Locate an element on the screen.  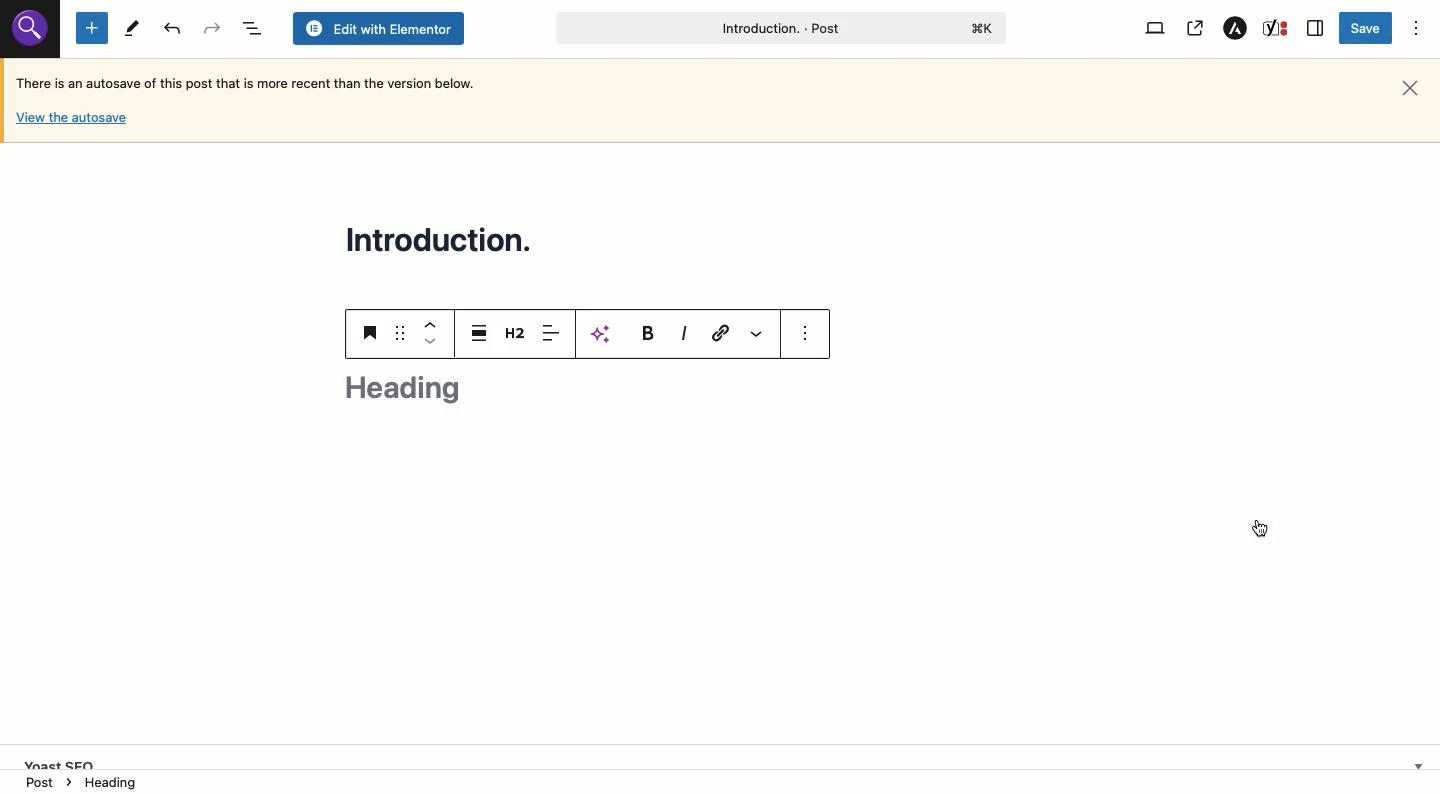
Add new block is located at coordinates (92, 27).